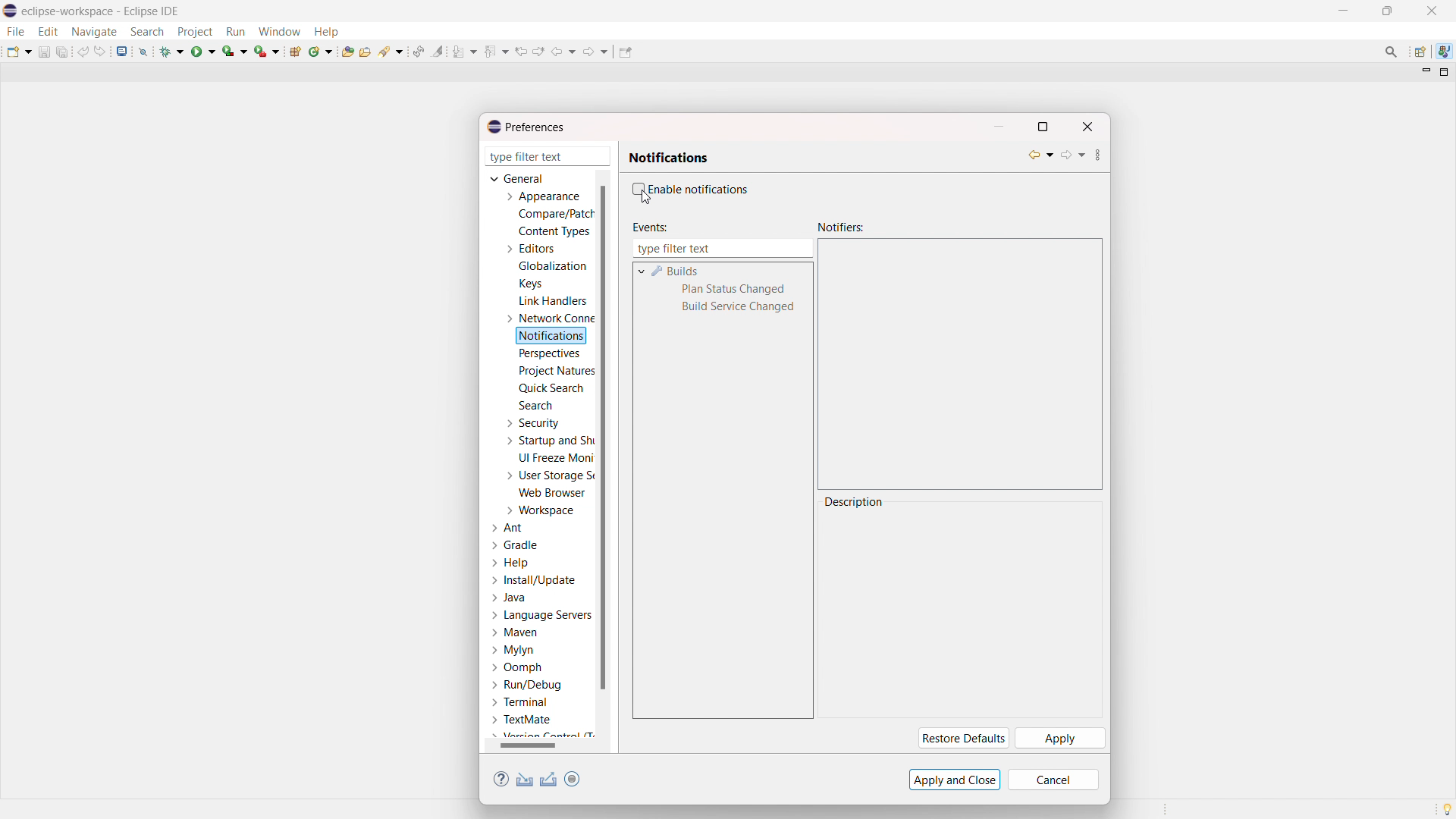 This screenshot has width=1456, height=819. What do you see at coordinates (279, 31) in the screenshot?
I see `window` at bounding box center [279, 31].